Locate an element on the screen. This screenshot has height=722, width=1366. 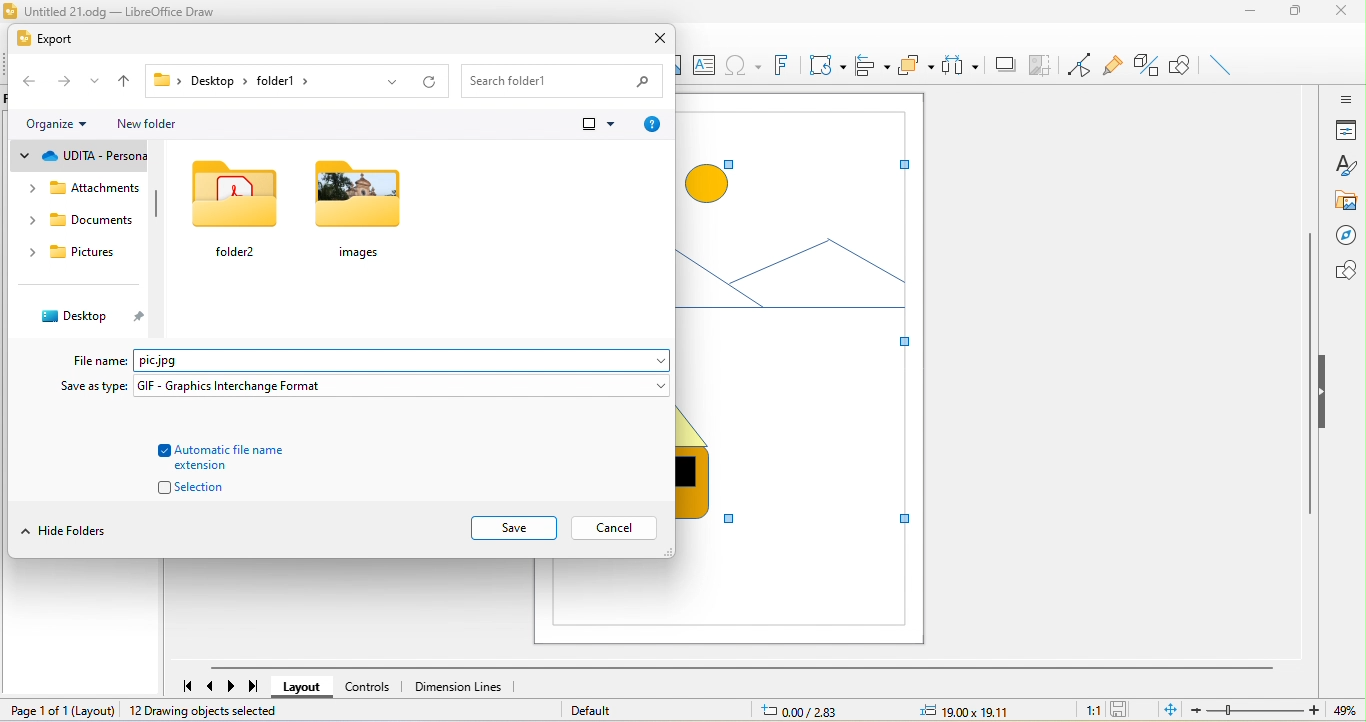
minimize is located at coordinates (1247, 15).